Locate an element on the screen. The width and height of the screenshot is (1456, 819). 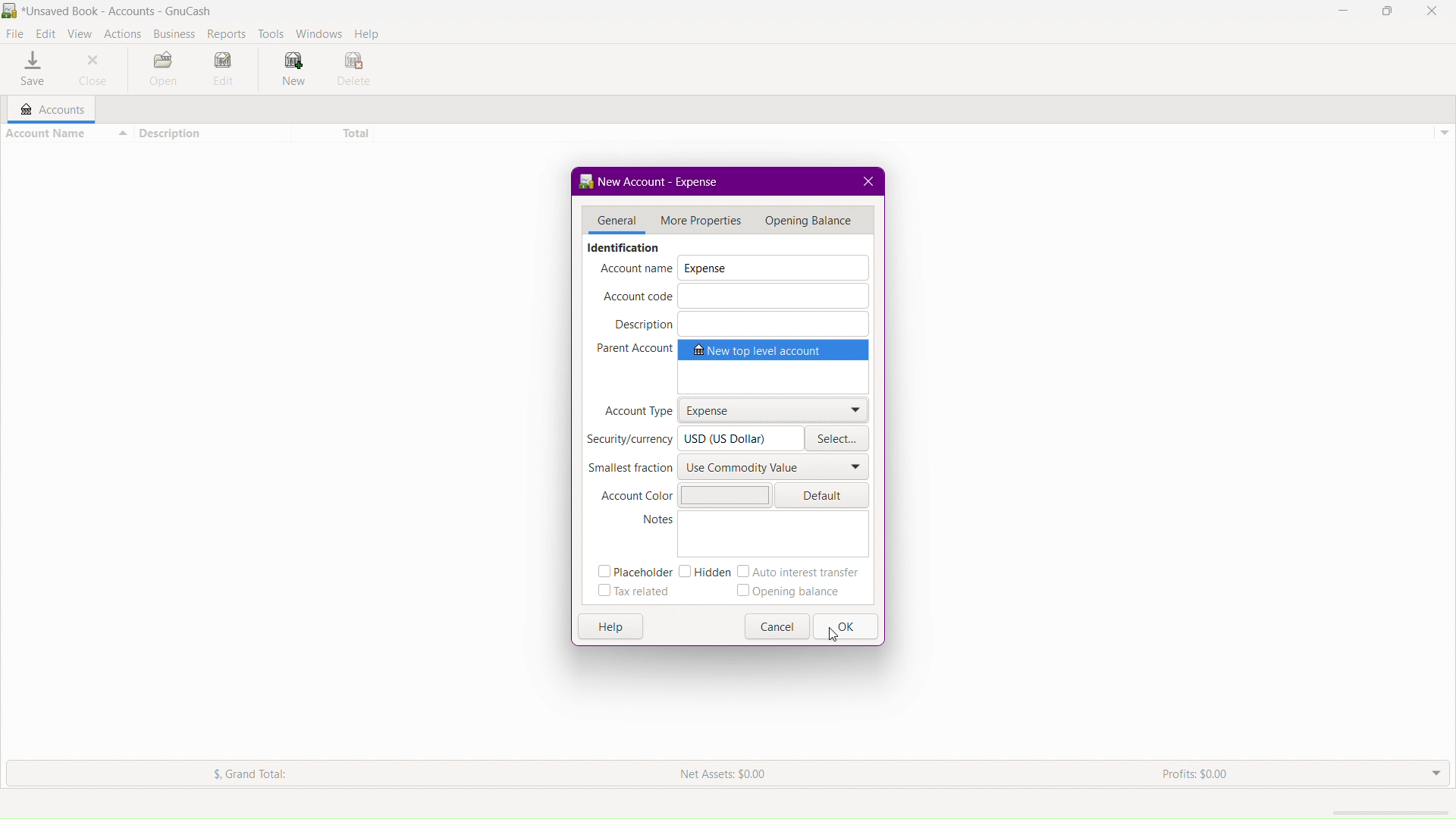
Close is located at coordinates (1432, 11).